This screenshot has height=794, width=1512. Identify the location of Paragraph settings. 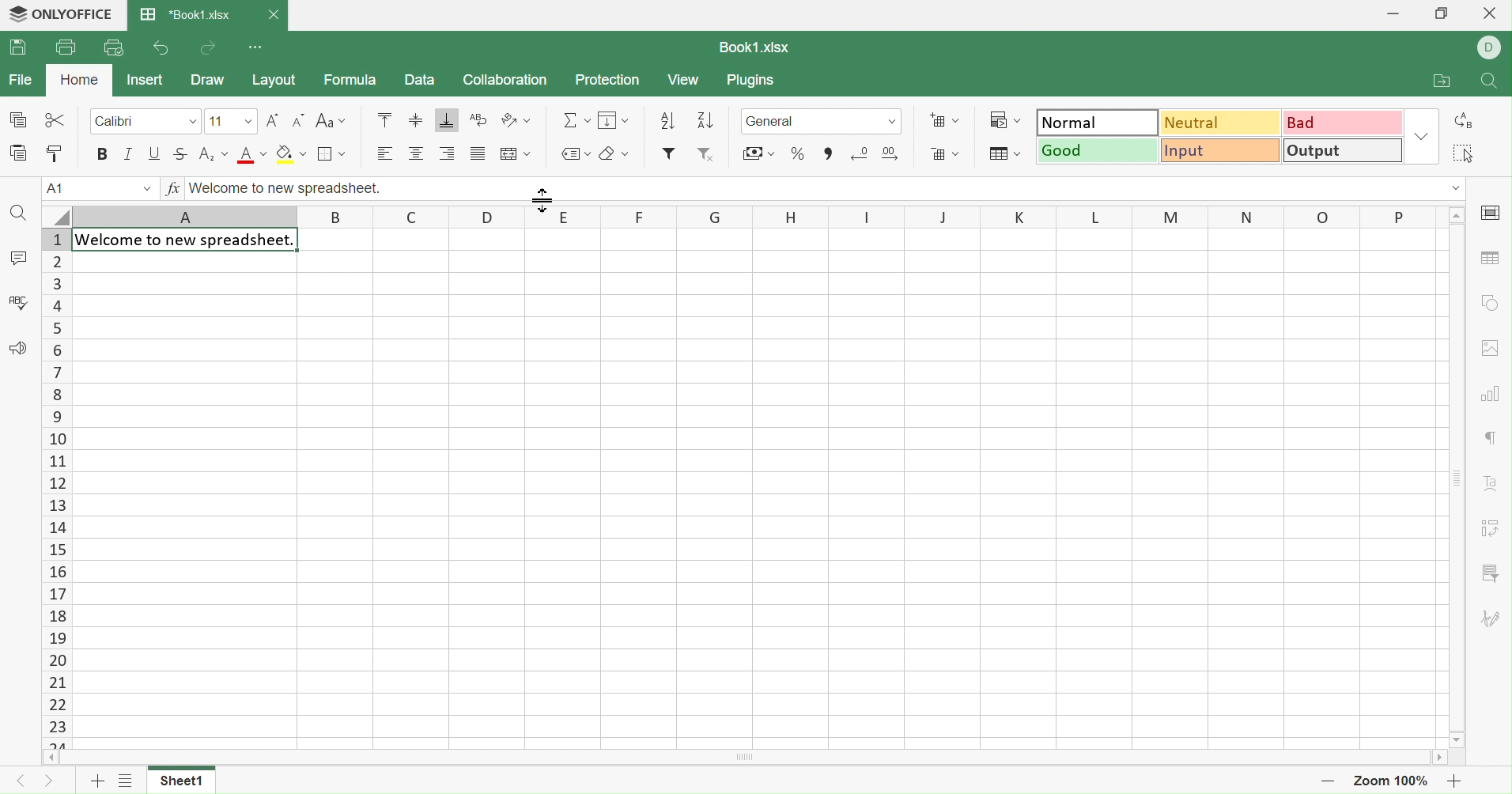
(1491, 440).